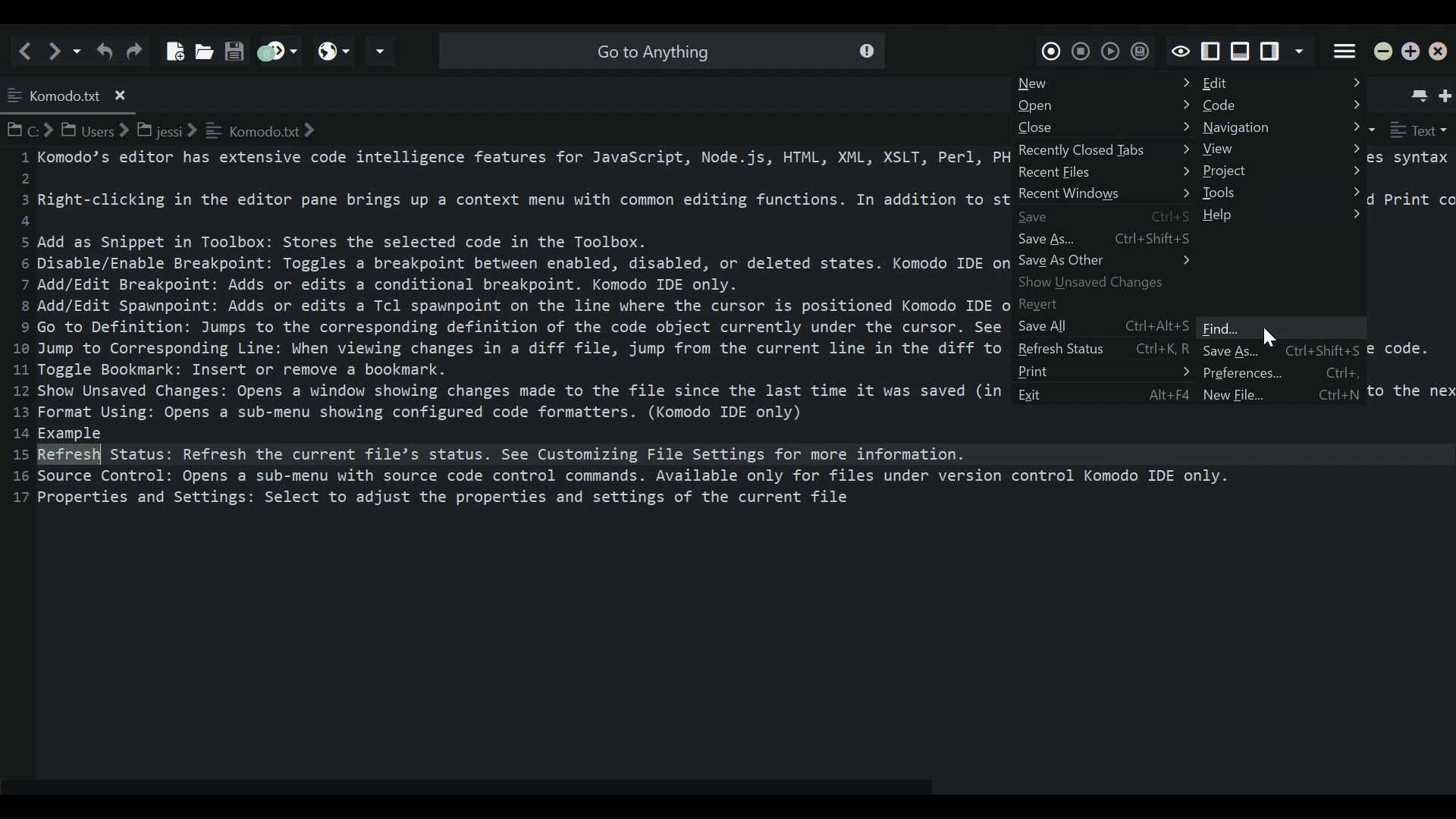  I want to click on Open, so click(202, 47).